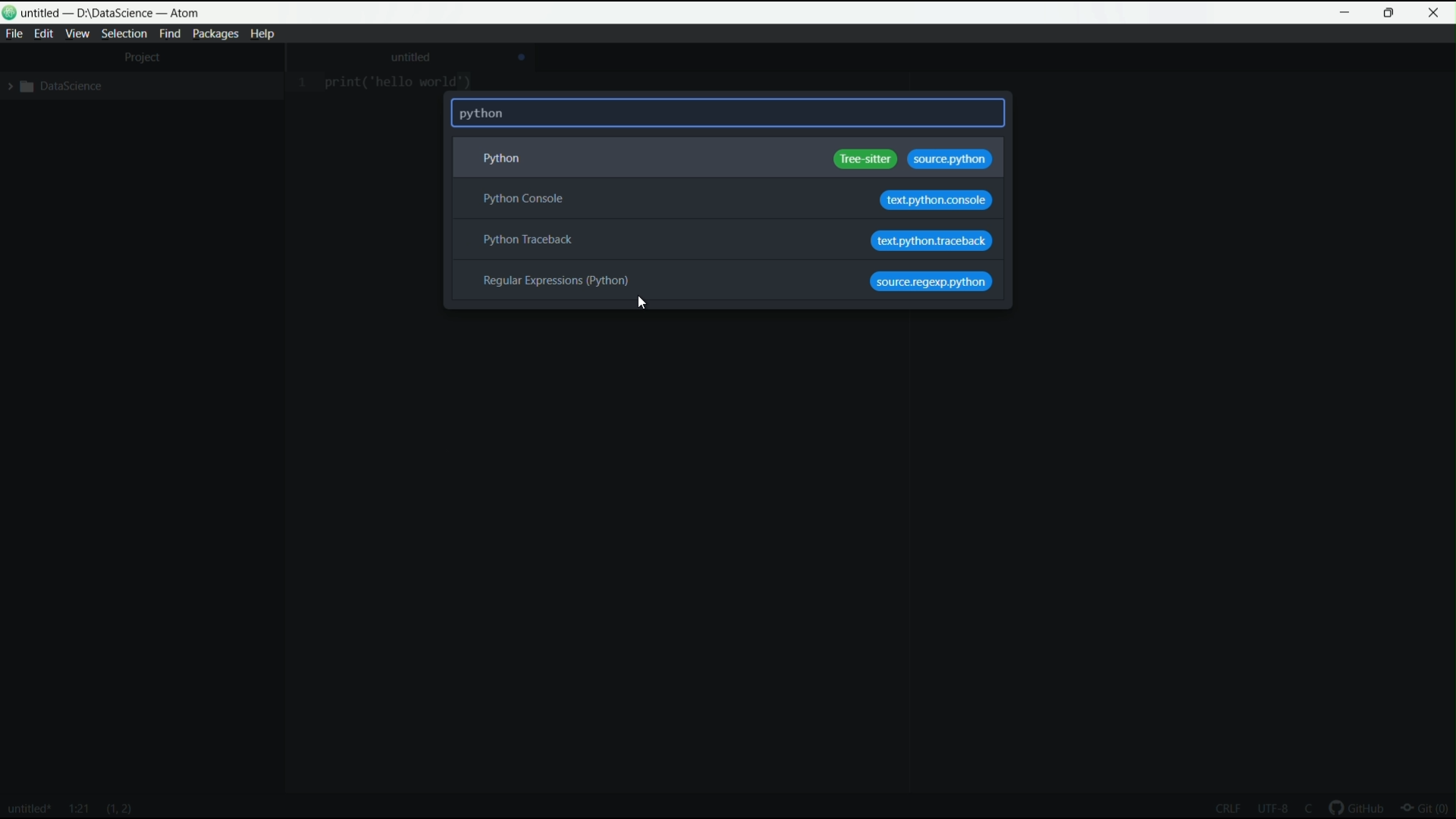 Image resolution: width=1456 pixels, height=819 pixels. I want to click on file name, so click(29, 811).